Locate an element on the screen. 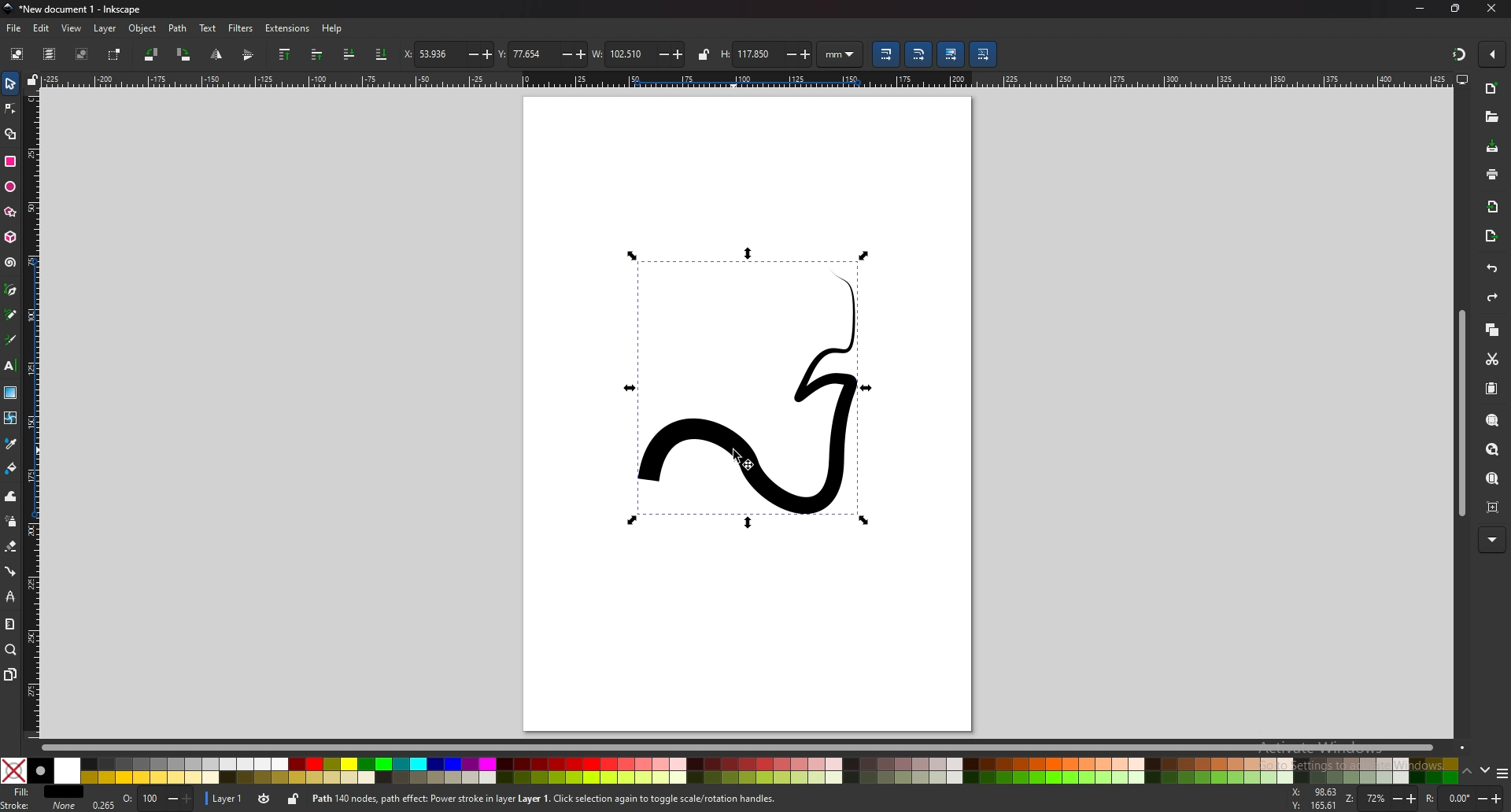 This screenshot has height=812, width=1511. spray is located at coordinates (12, 521).